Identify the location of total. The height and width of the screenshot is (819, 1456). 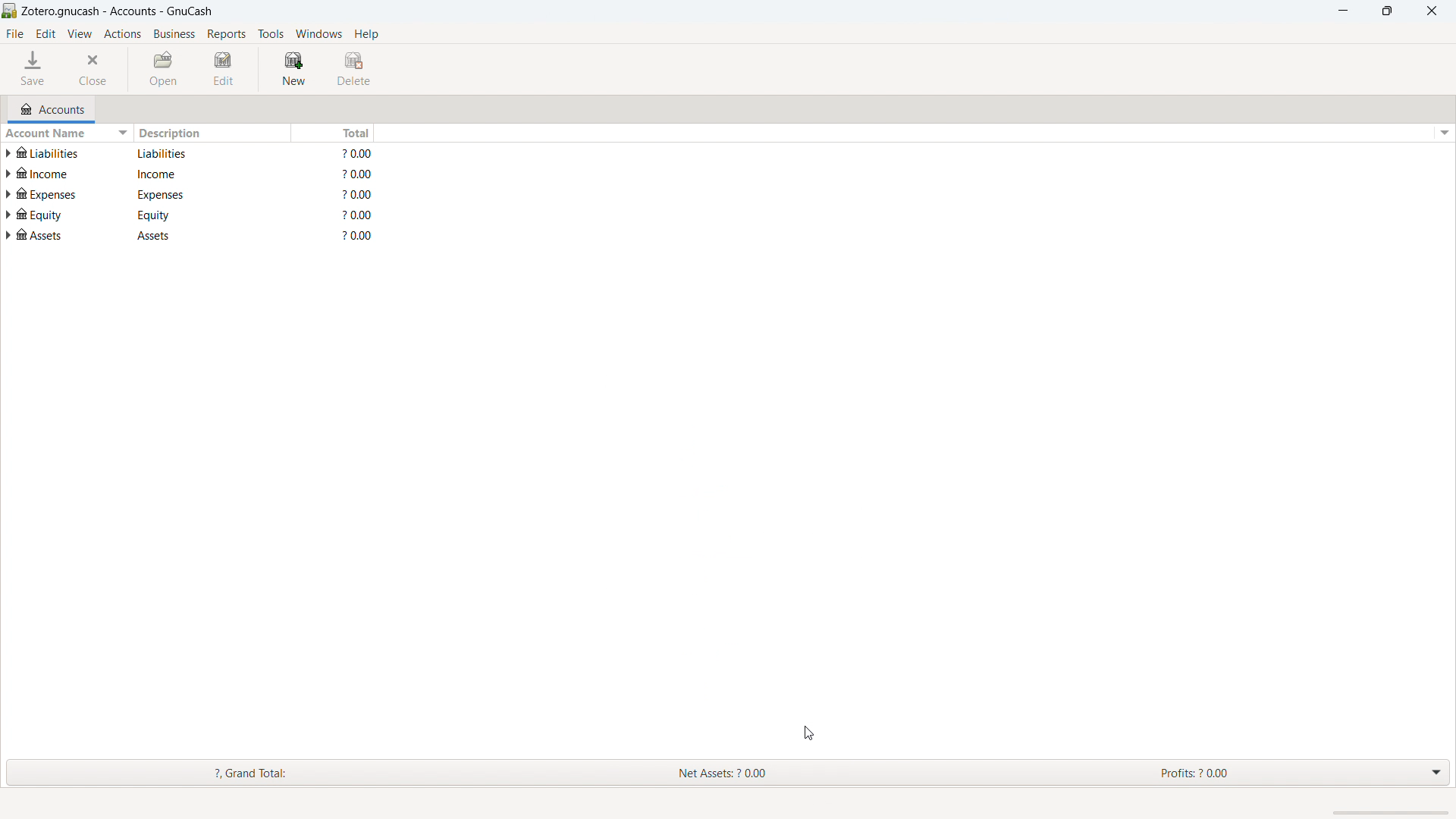
(357, 134).